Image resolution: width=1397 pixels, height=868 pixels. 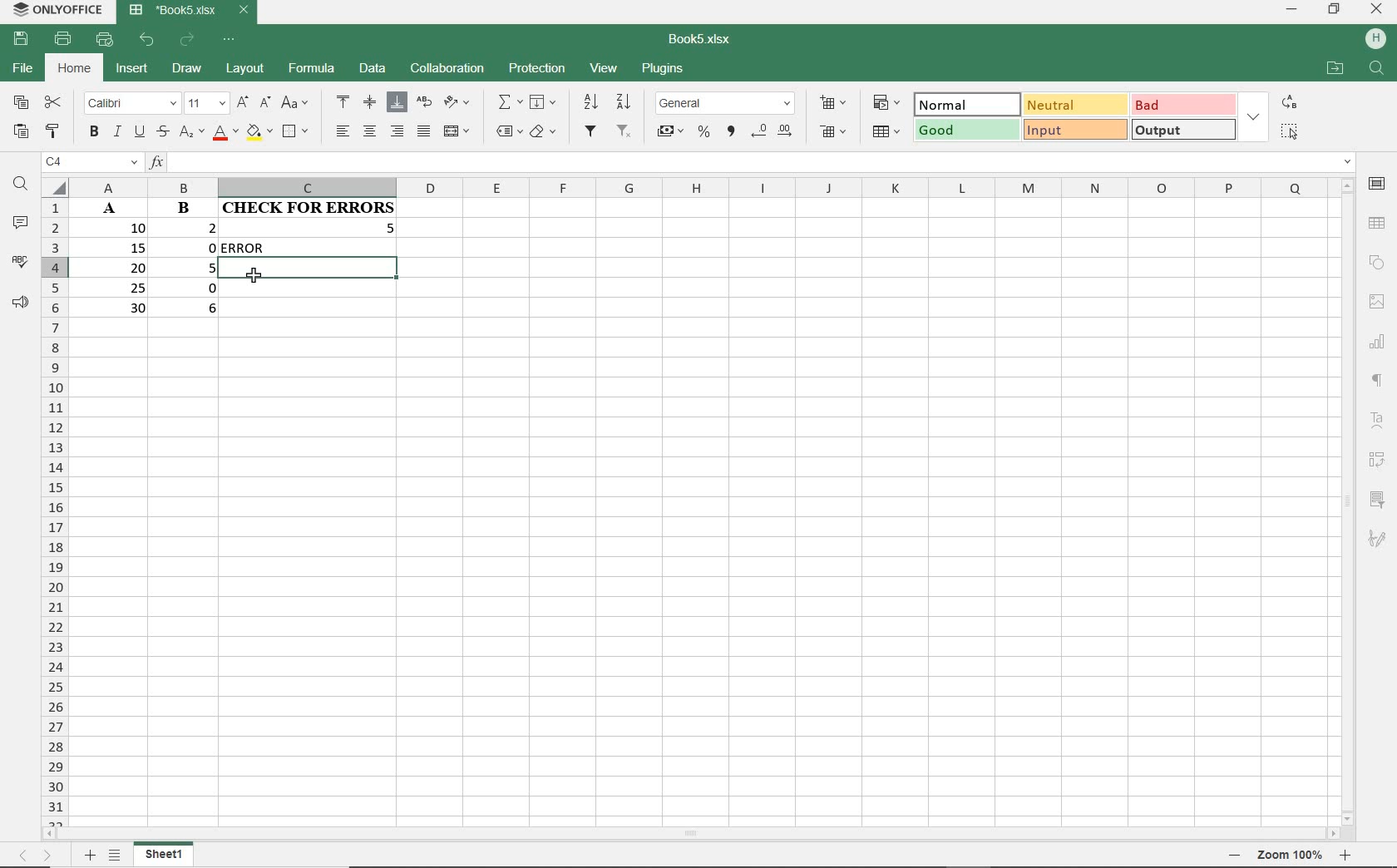 What do you see at coordinates (446, 70) in the screenshot?
I see `COLLABORATION` at bounding box center [446, 70].